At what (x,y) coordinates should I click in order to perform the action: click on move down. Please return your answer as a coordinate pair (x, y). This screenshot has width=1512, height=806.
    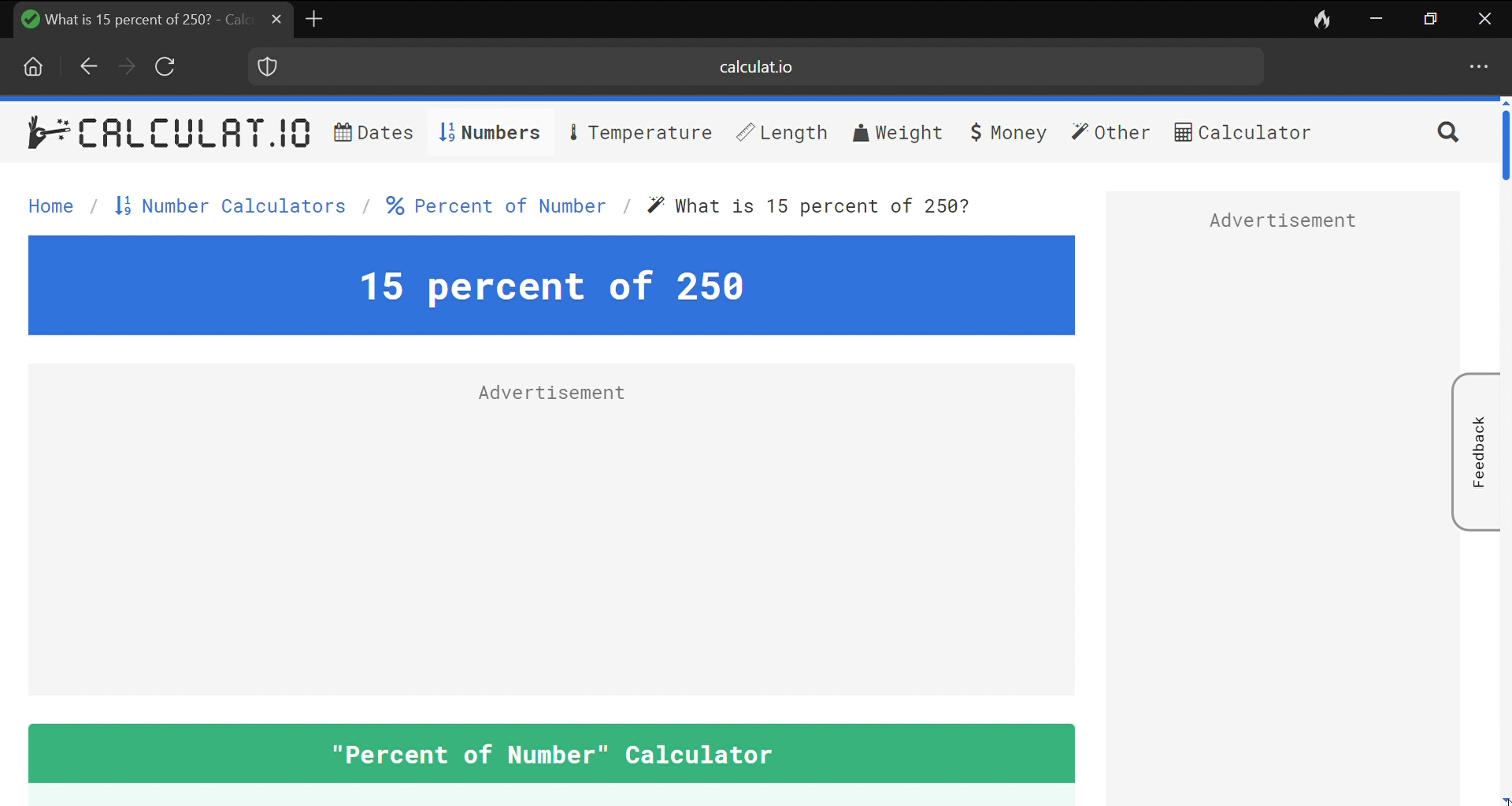
    Looking at the image, I should click on (1503, 800).